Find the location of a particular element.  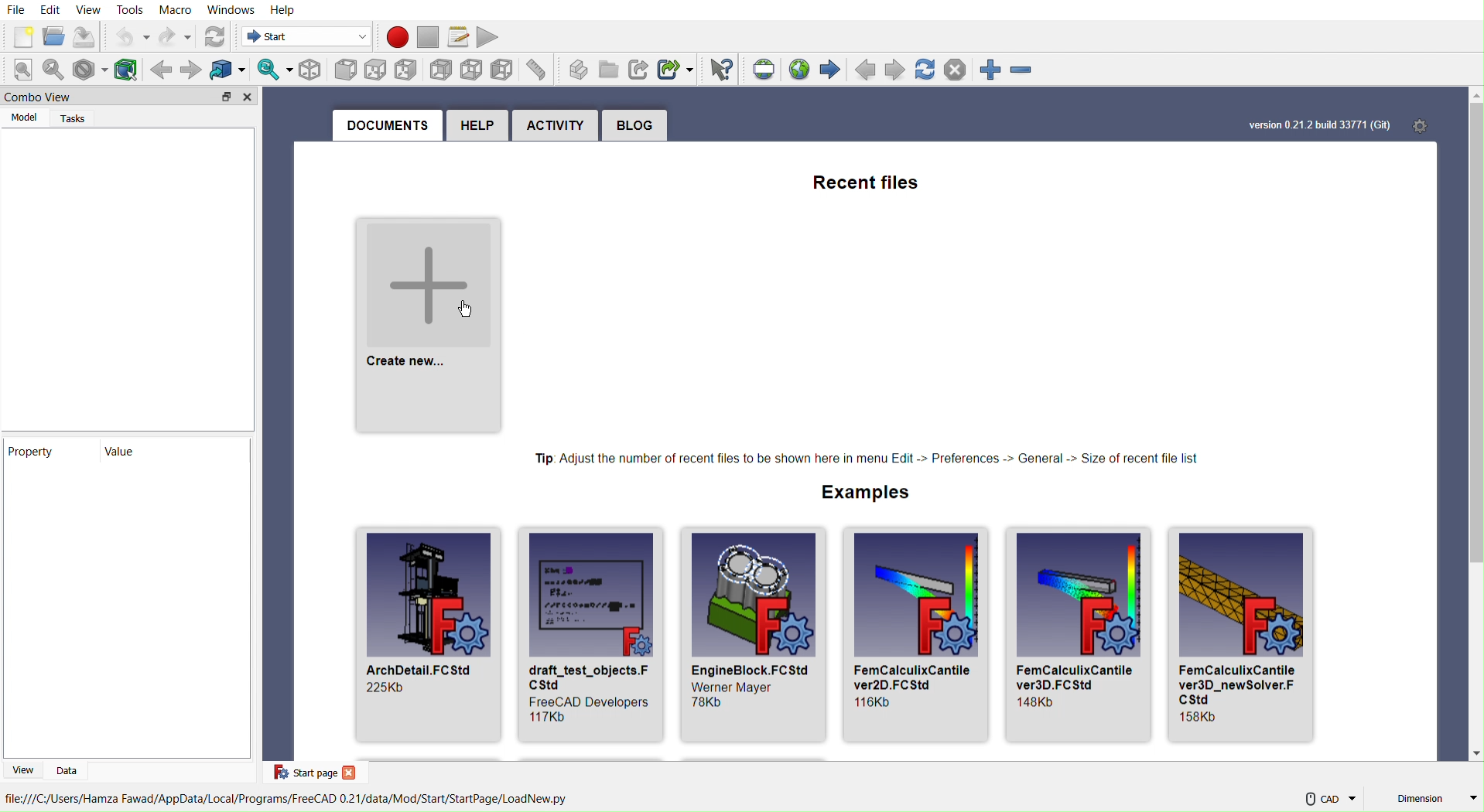

Change the draw style of the objects is located at coordinates (92, 68).